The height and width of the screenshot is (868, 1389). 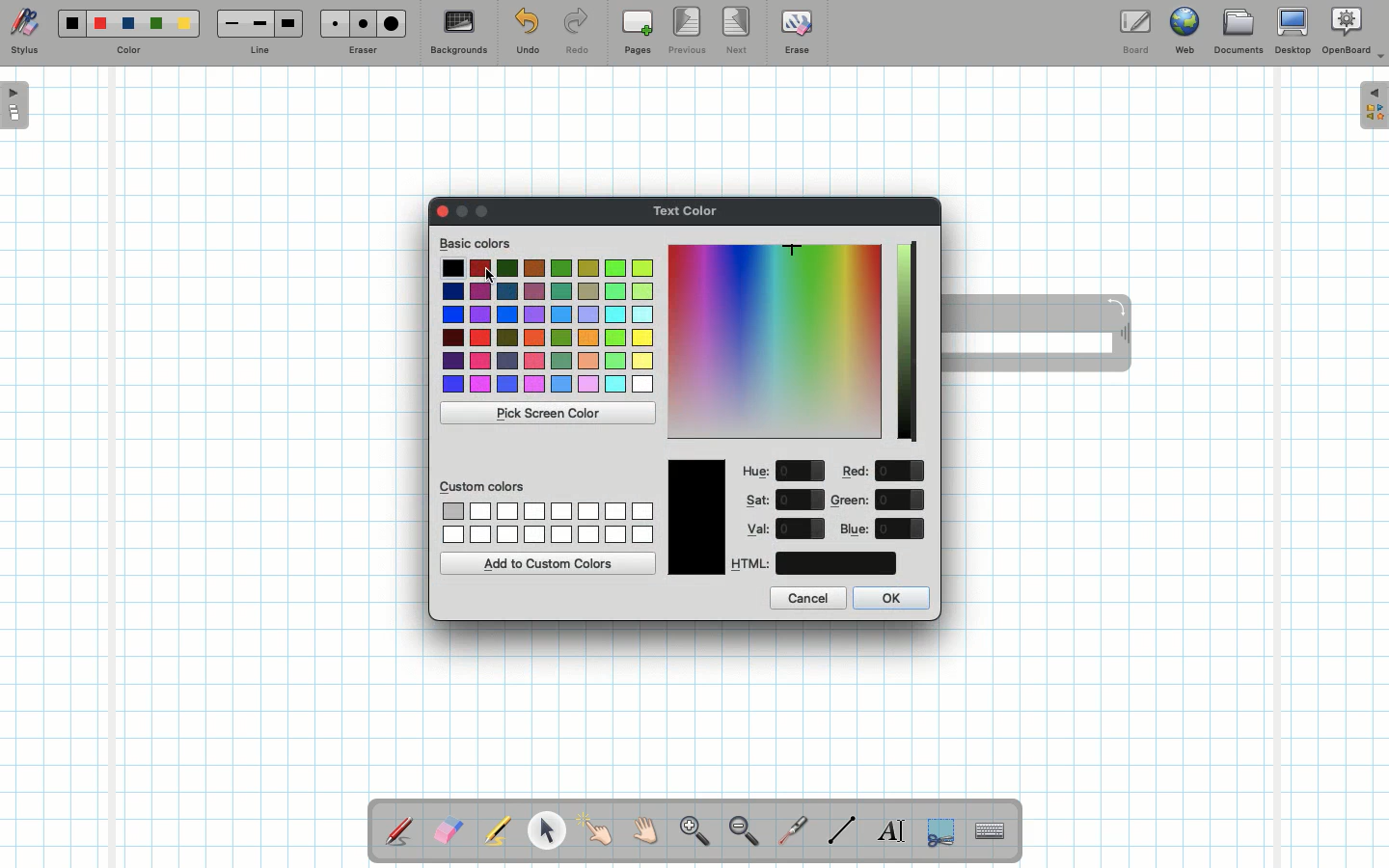 What do you see at coordinates (24, 32) in the screenshot?
I see `Stylus` at bounding box center [24, 32].